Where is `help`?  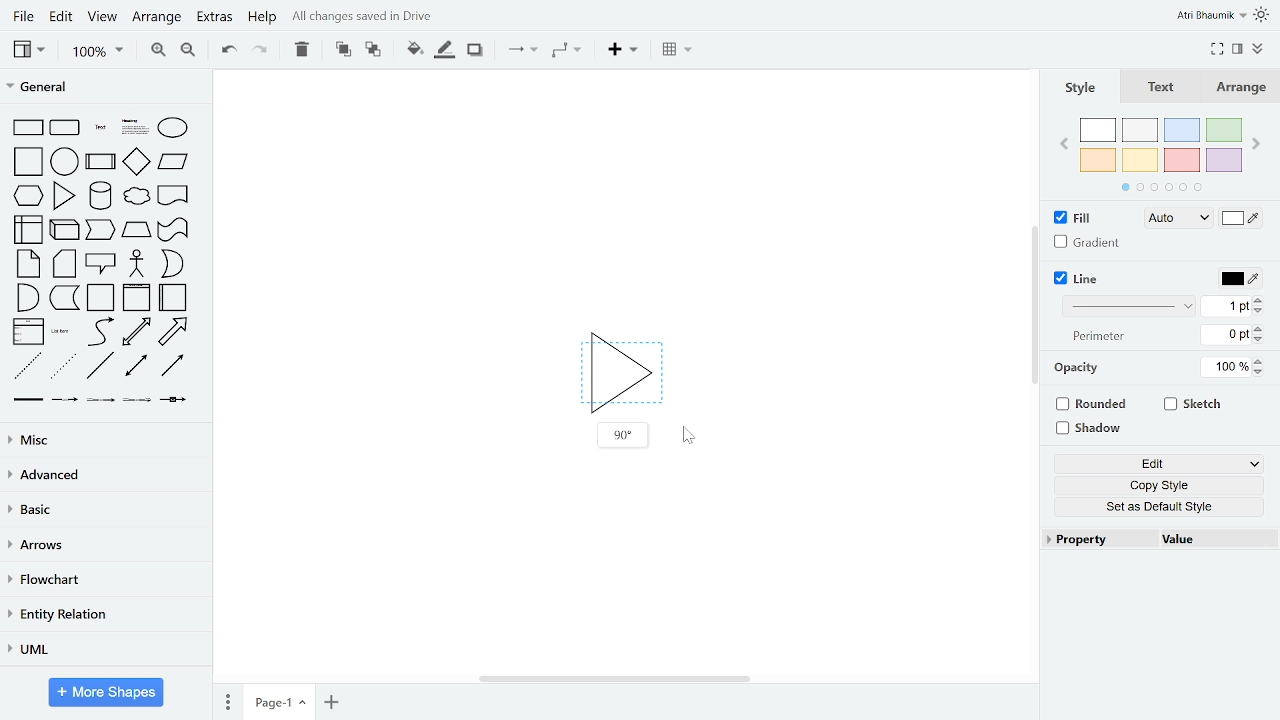
help is located at coordinates (263, 19).